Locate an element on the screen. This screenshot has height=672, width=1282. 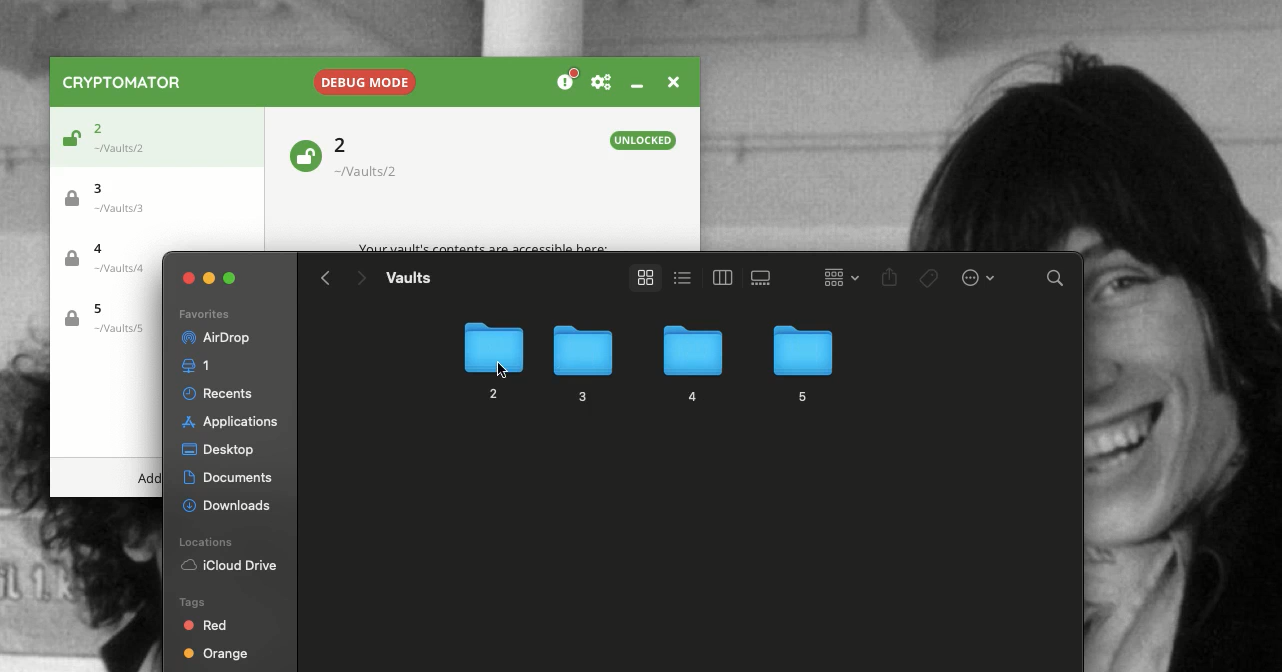
Vault 4 is located at coordinates (112, 261).